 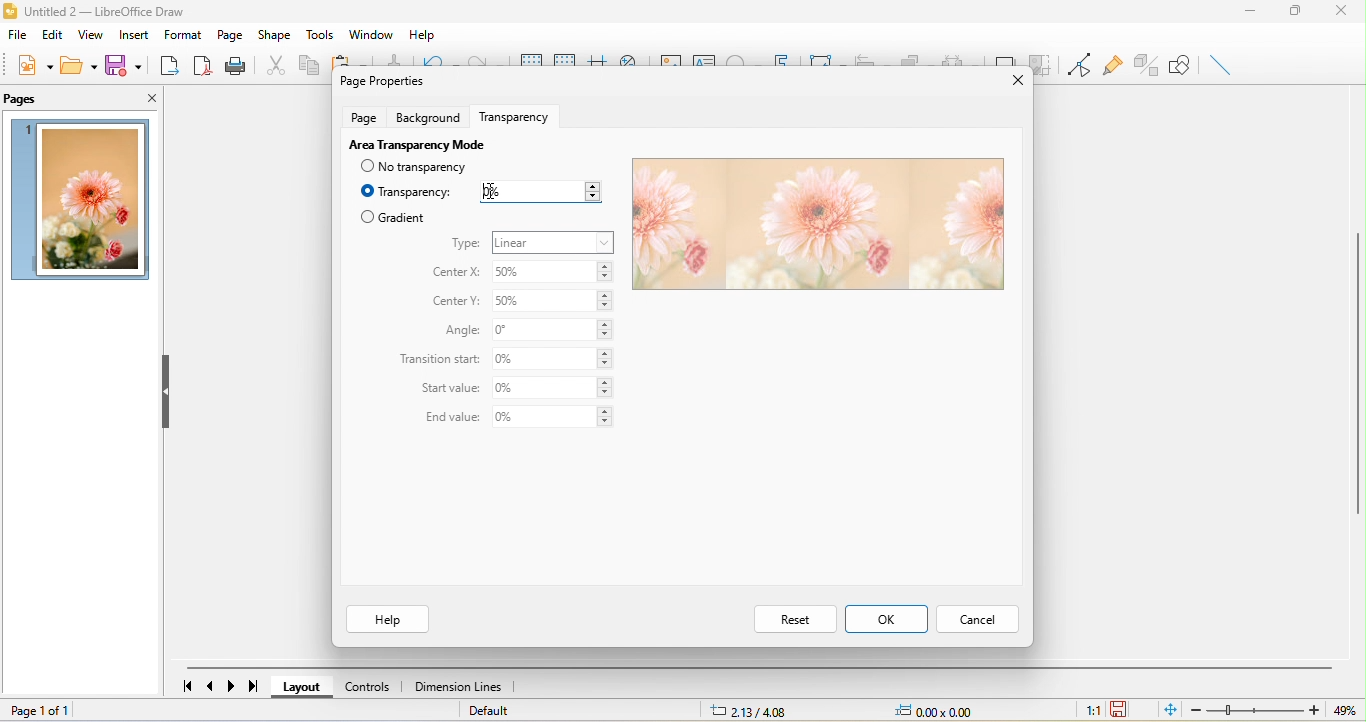 I want to click on end value, so click(x=447, y=418).